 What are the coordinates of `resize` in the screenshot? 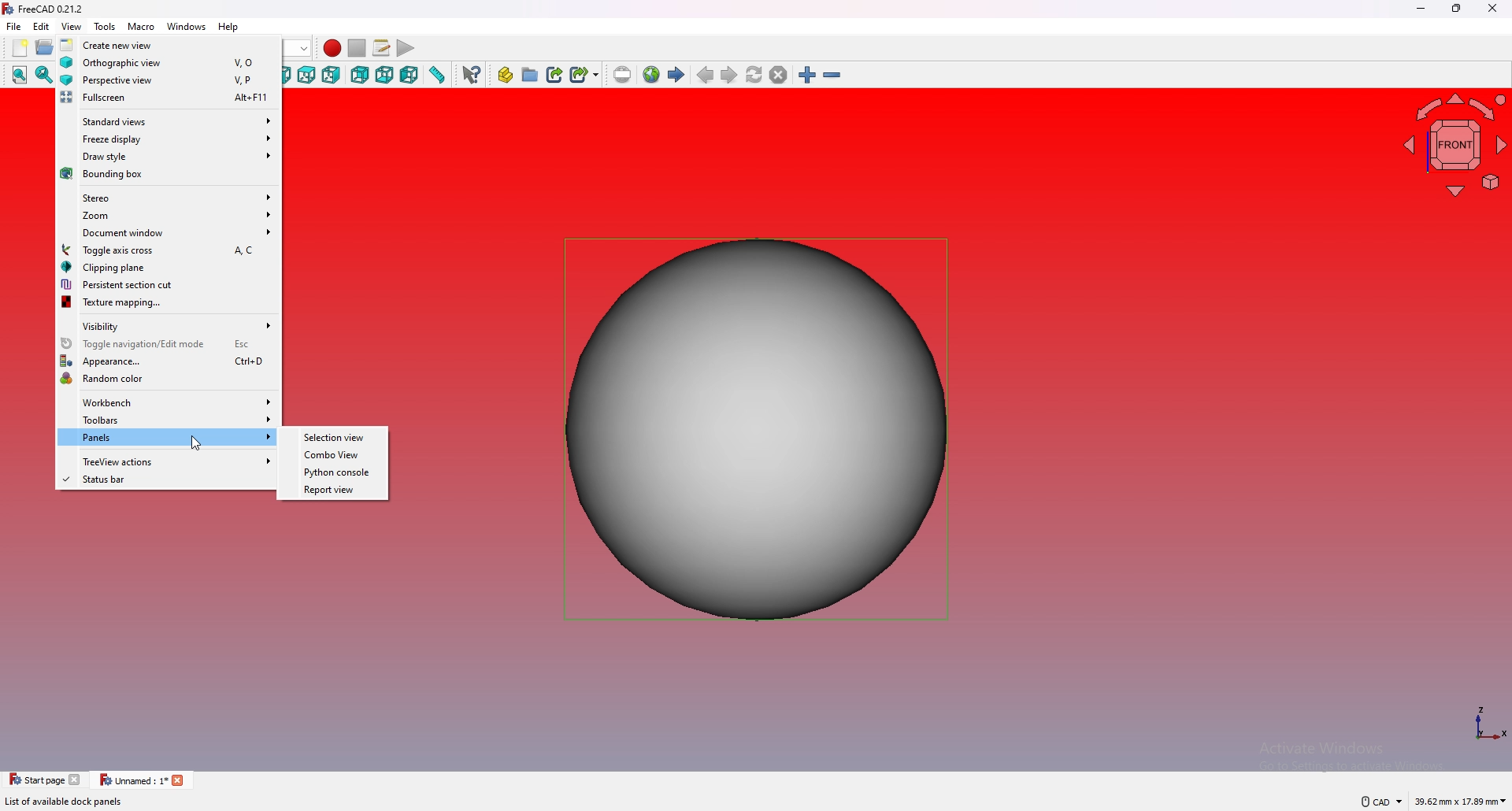 It's located at (1456, 9).